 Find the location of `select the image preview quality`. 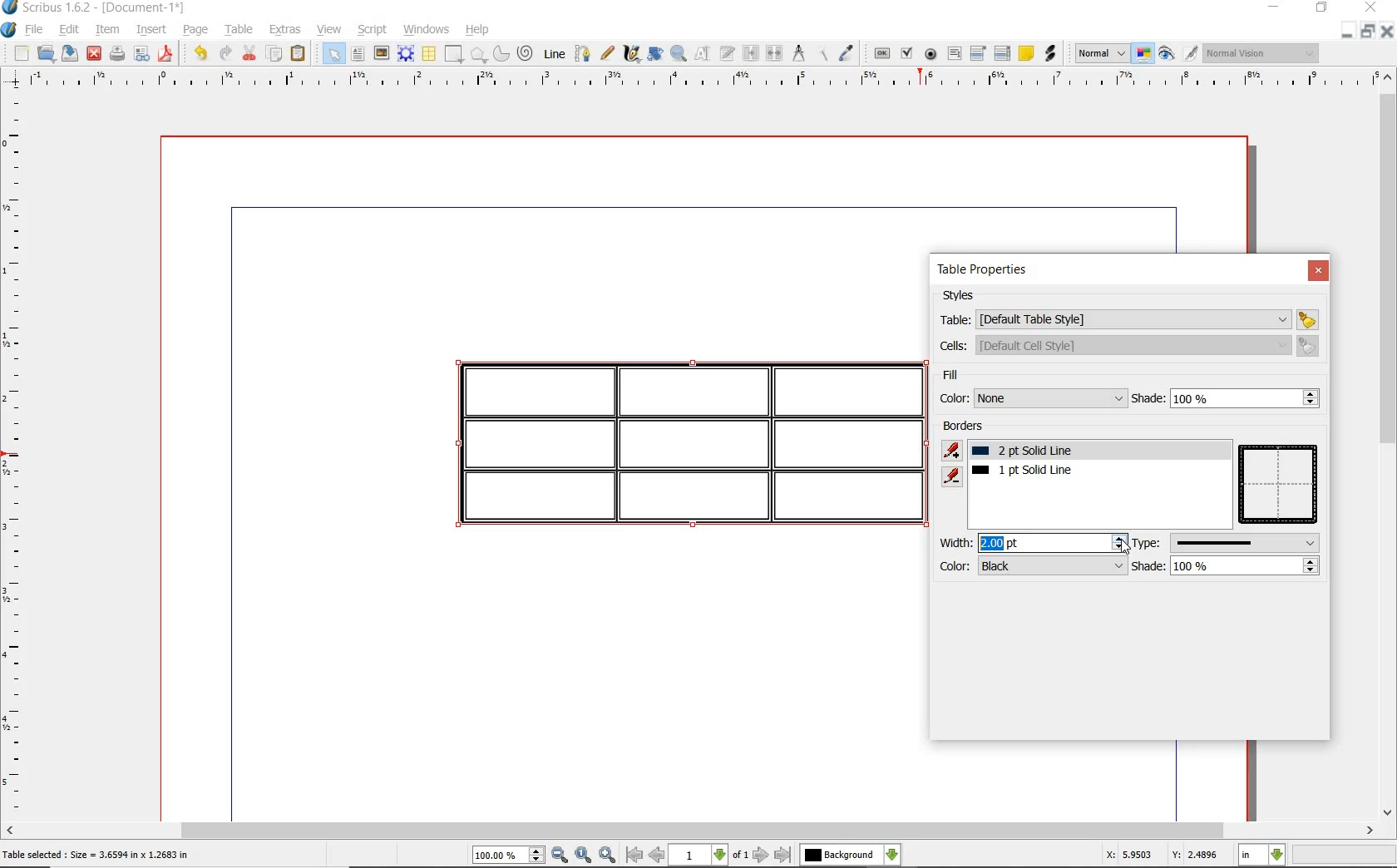

select the image preview quality is located at coordinates (1097, 53).